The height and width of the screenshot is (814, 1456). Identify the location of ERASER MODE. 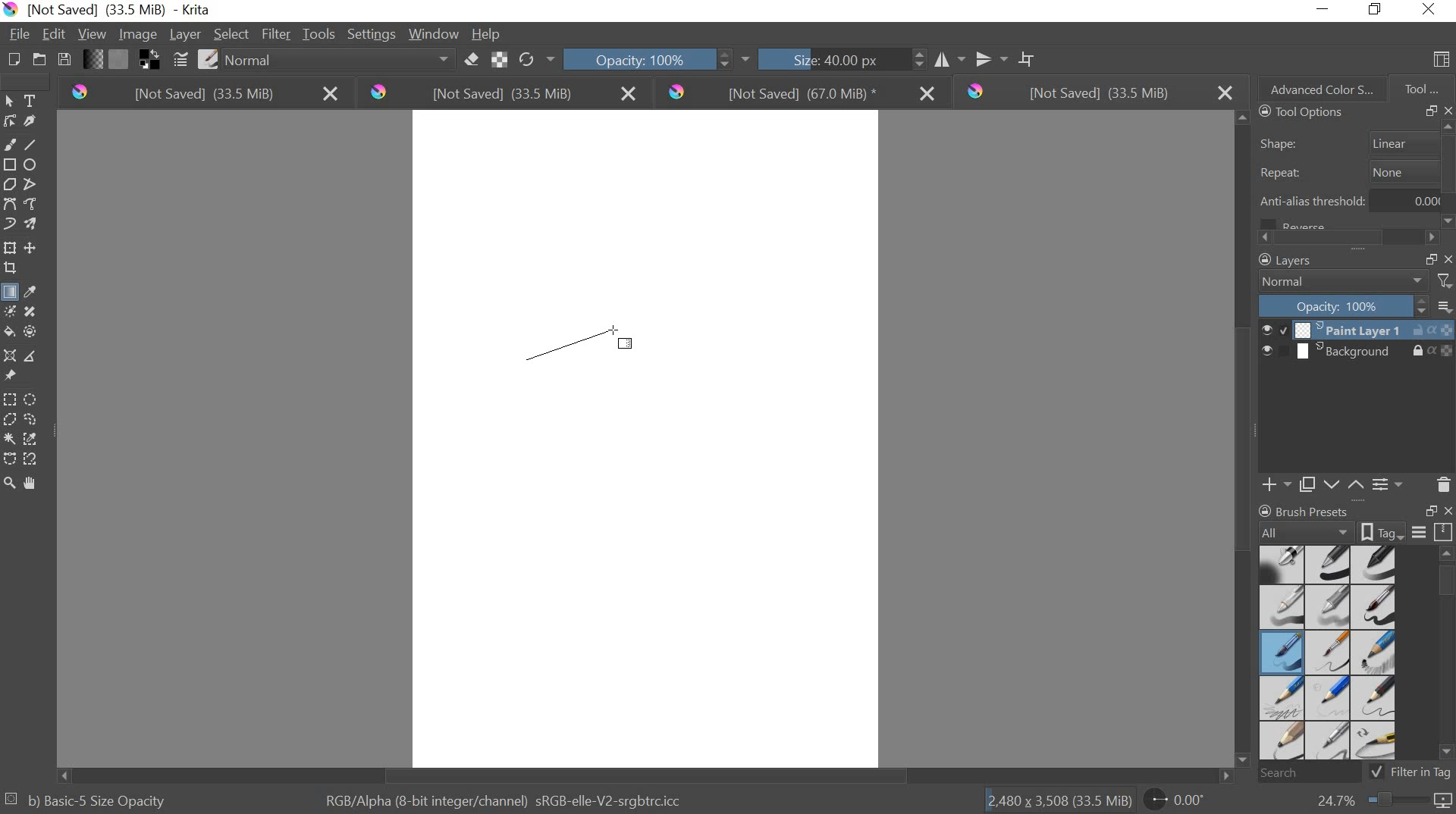
(470, 61).